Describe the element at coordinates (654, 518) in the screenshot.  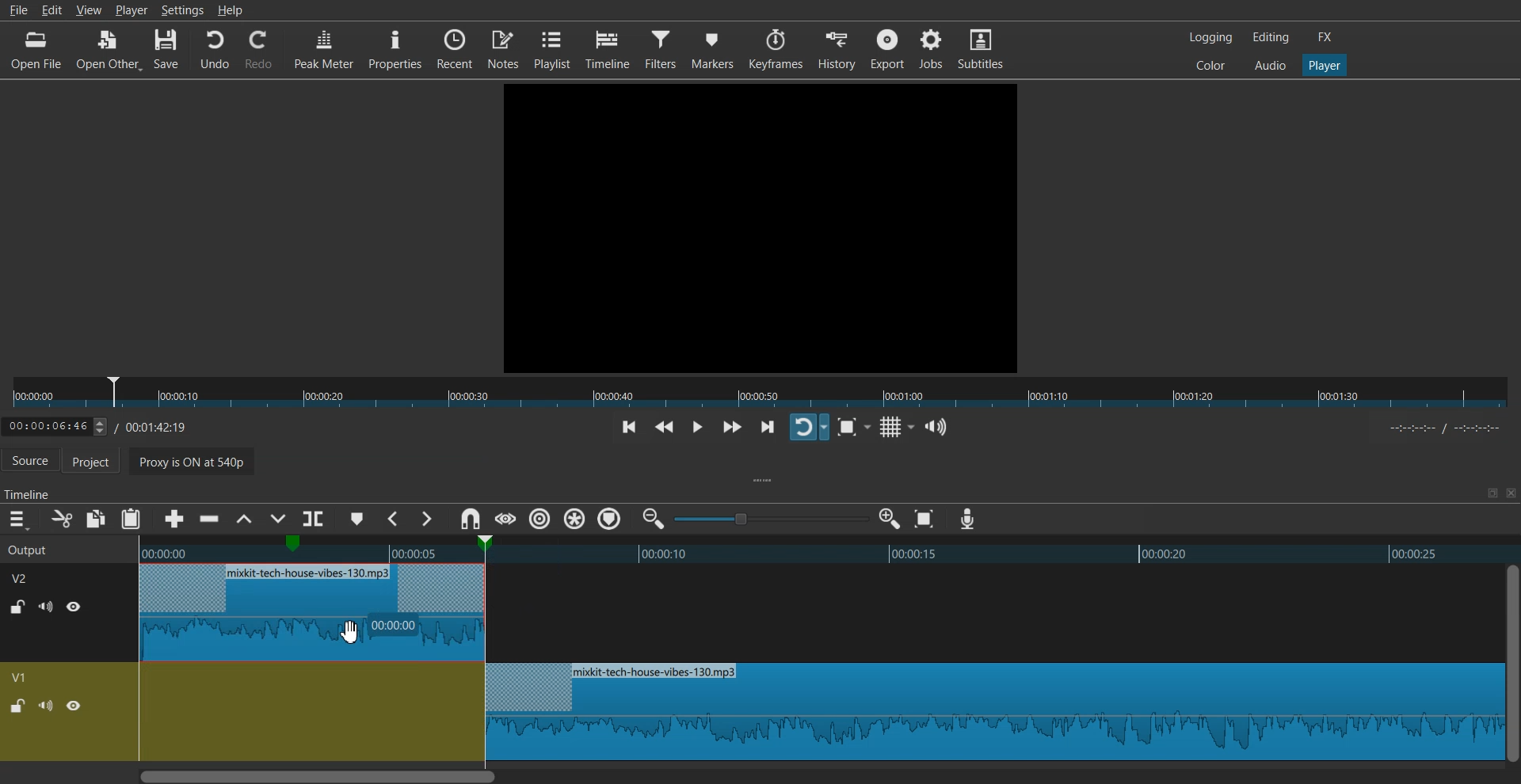
I see `Zoom timeline out` at that location.